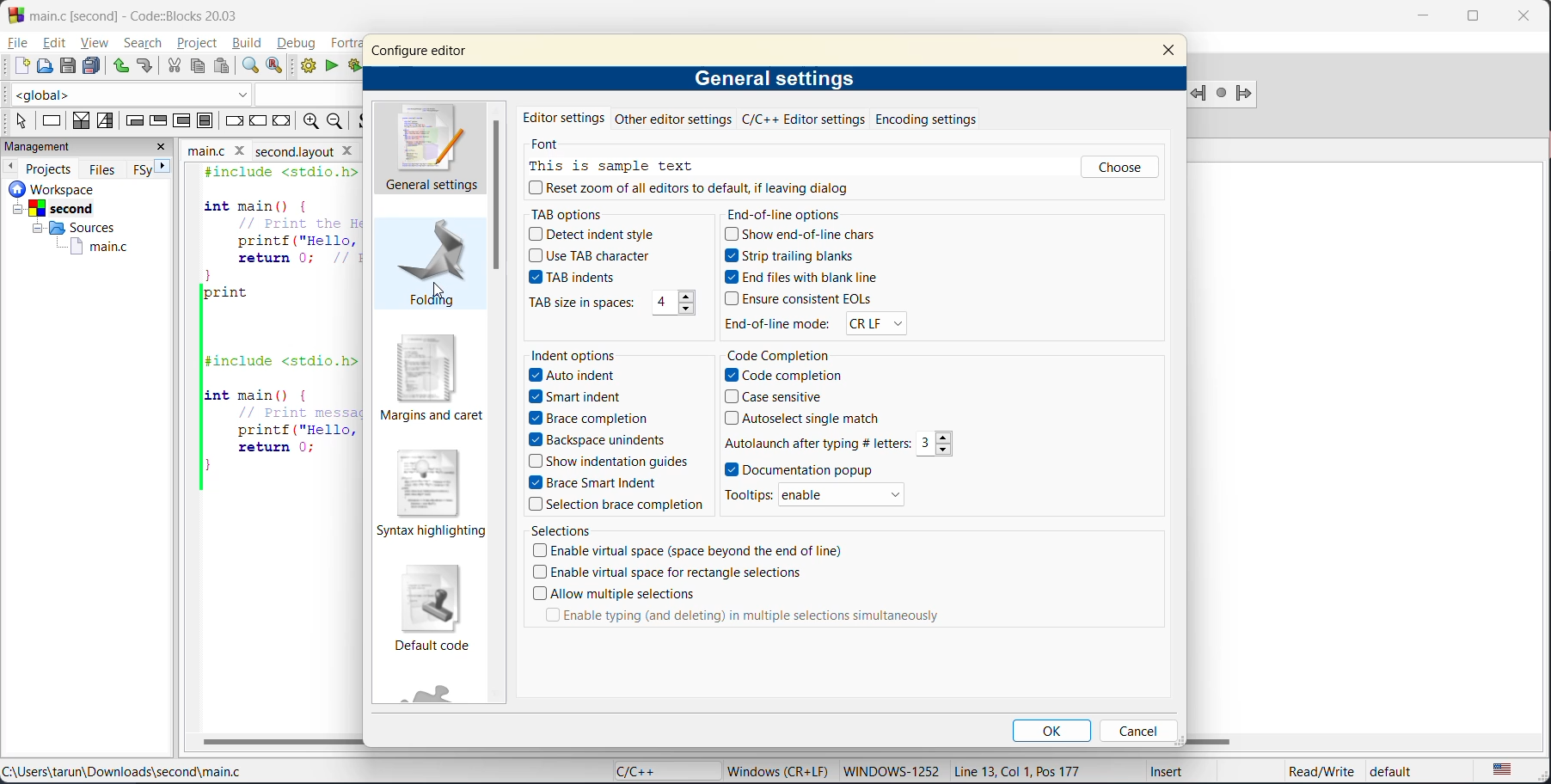  I want to click on syntax highlighting, so click(435, 493).